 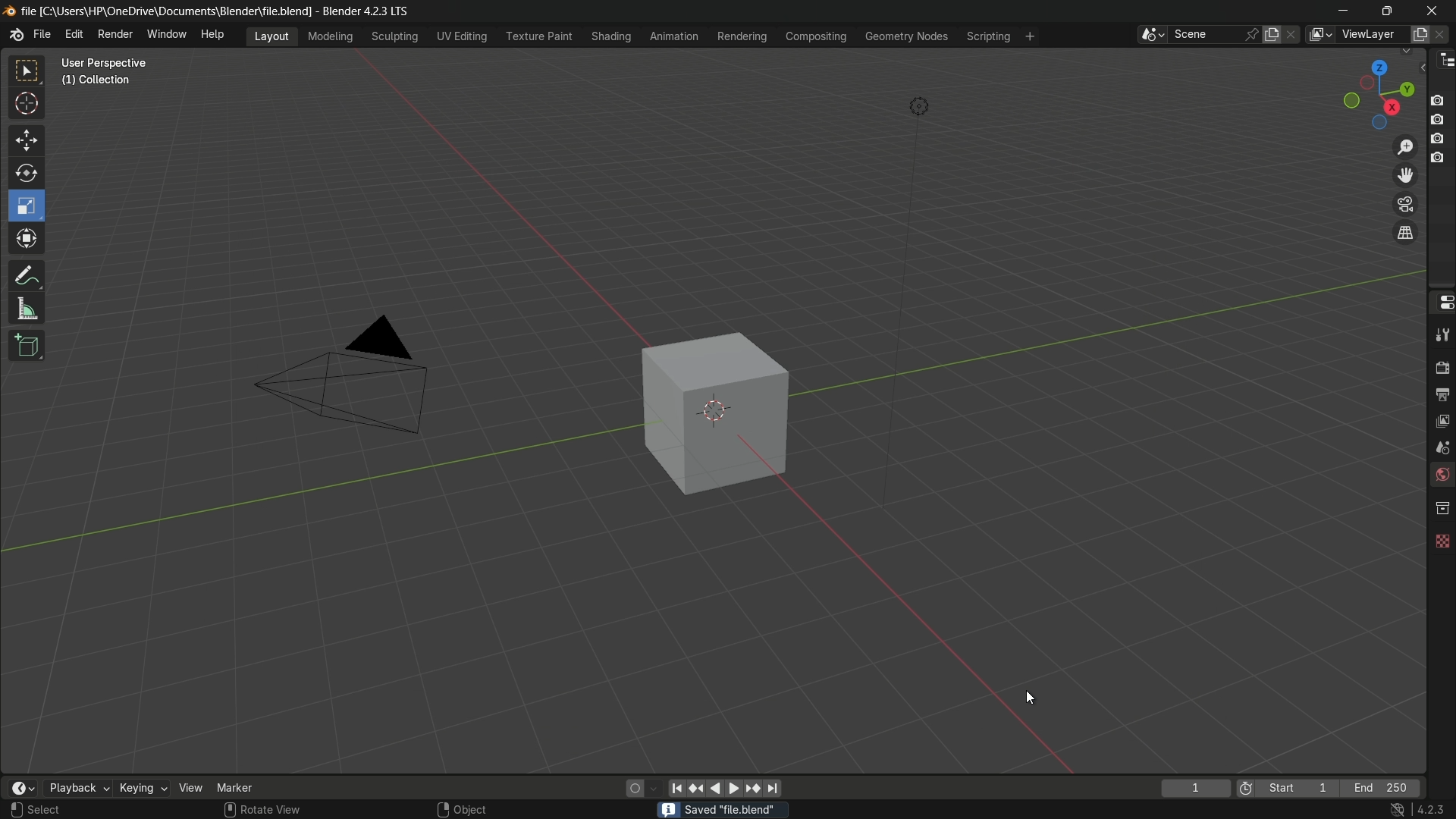 What do you see at coordinates (753, 787) in the screenshot?
I see `jump to keyframe` at bounding box center [753, 787].